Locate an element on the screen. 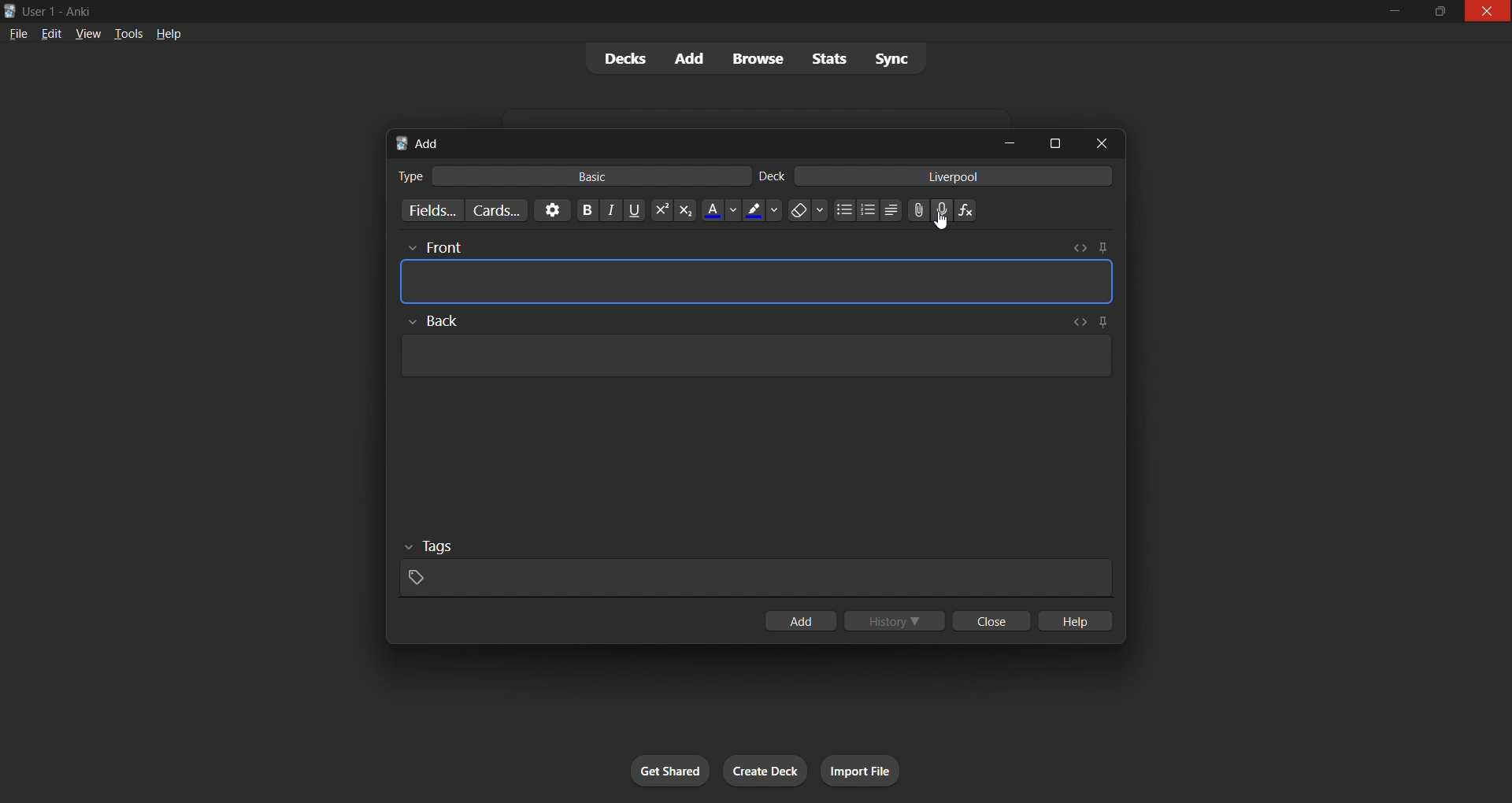  customize fields is located at coordinates (427, 211).